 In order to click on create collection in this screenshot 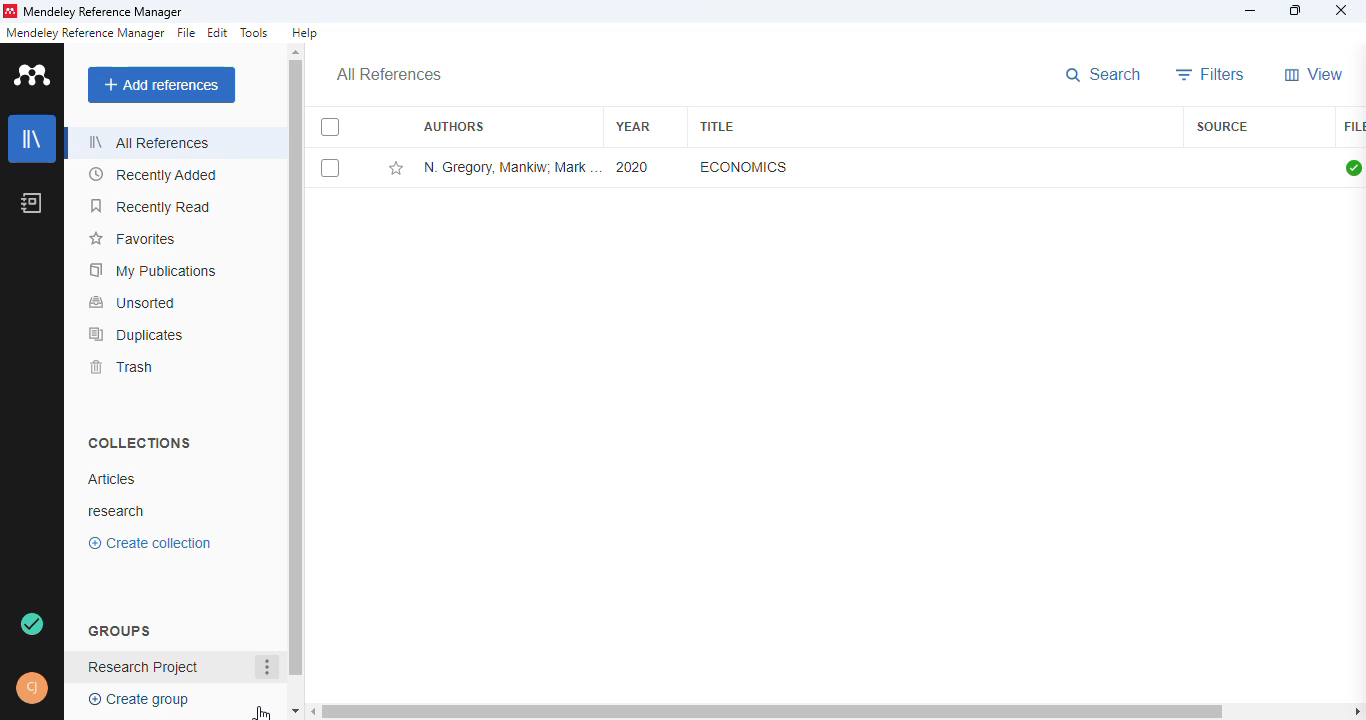, I will do `click(151, 543)`.